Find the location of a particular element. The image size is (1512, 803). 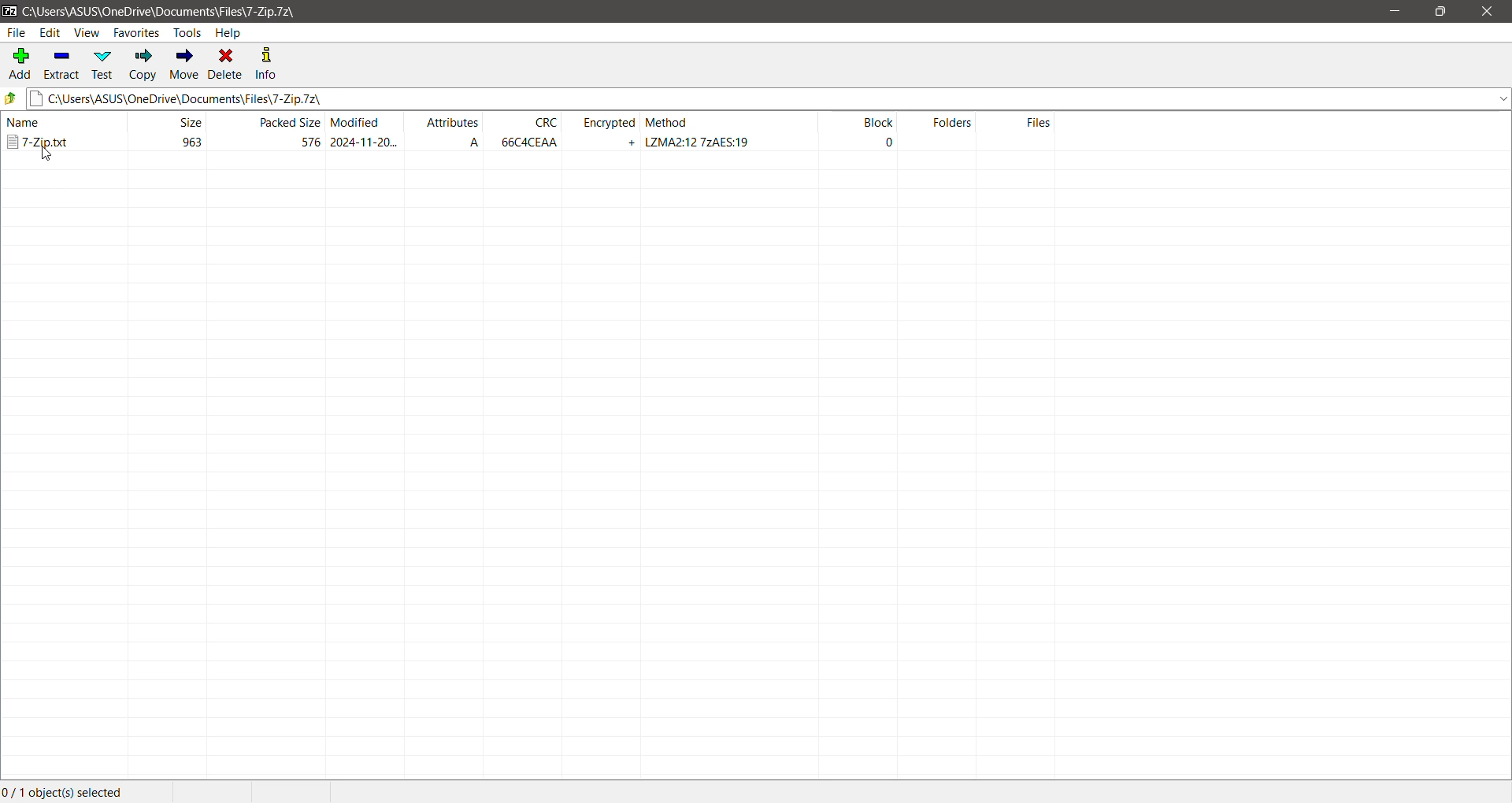

Files is located at coordinates (1031, 133).